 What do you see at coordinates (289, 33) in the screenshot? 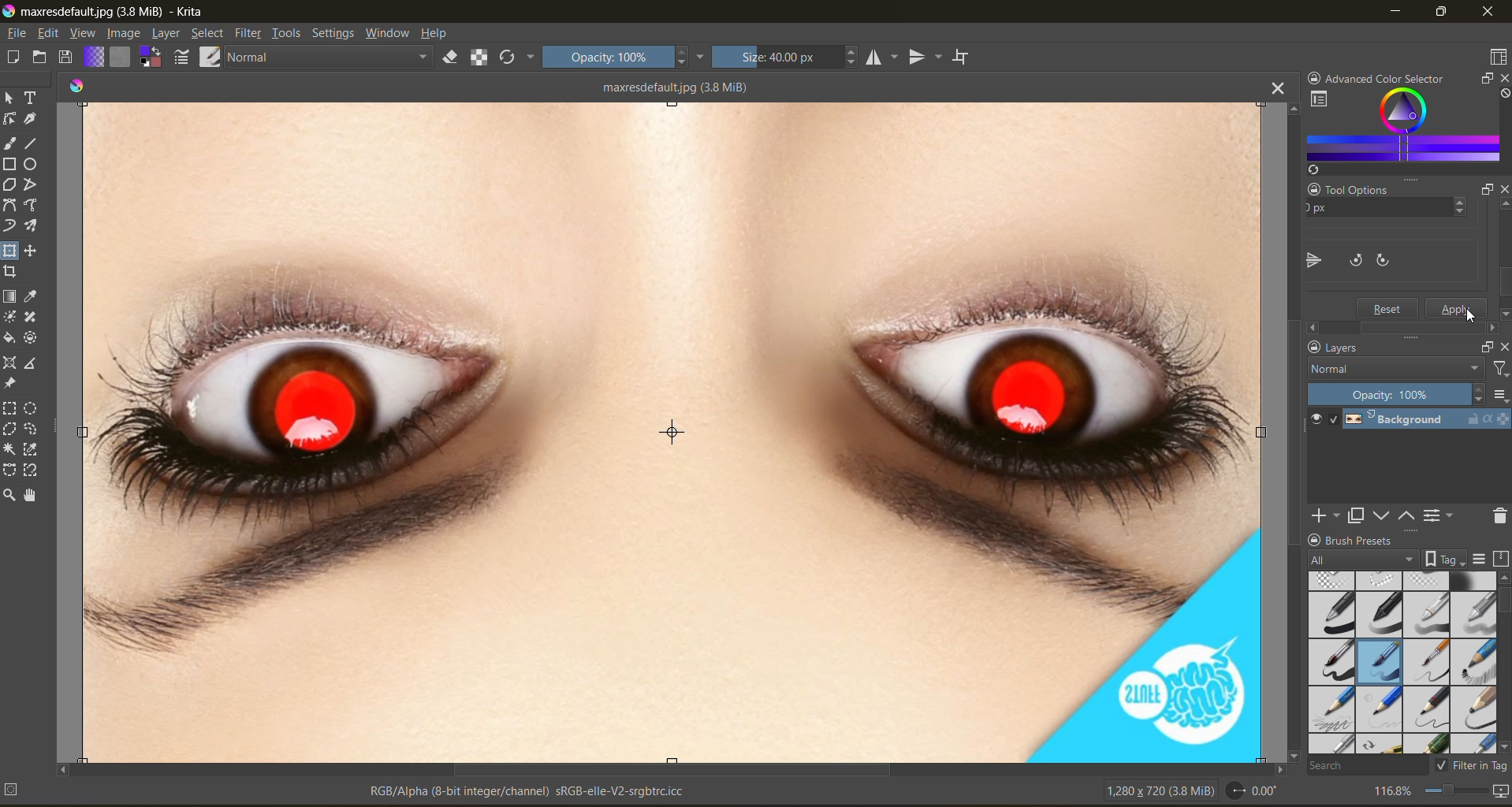
I see `tools` at bounding box center [289, 33].